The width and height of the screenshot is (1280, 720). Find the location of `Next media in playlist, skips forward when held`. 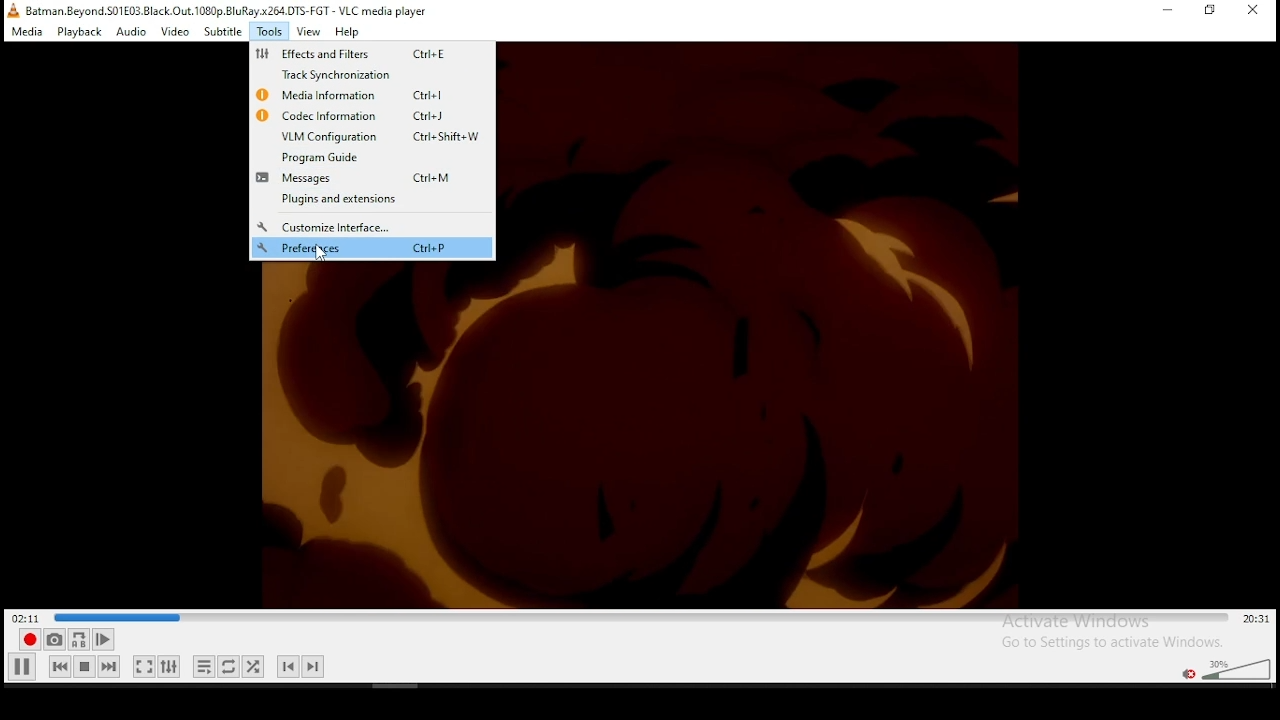

Next media in playlist, skips forward when held is located at coordinates (108, 667).